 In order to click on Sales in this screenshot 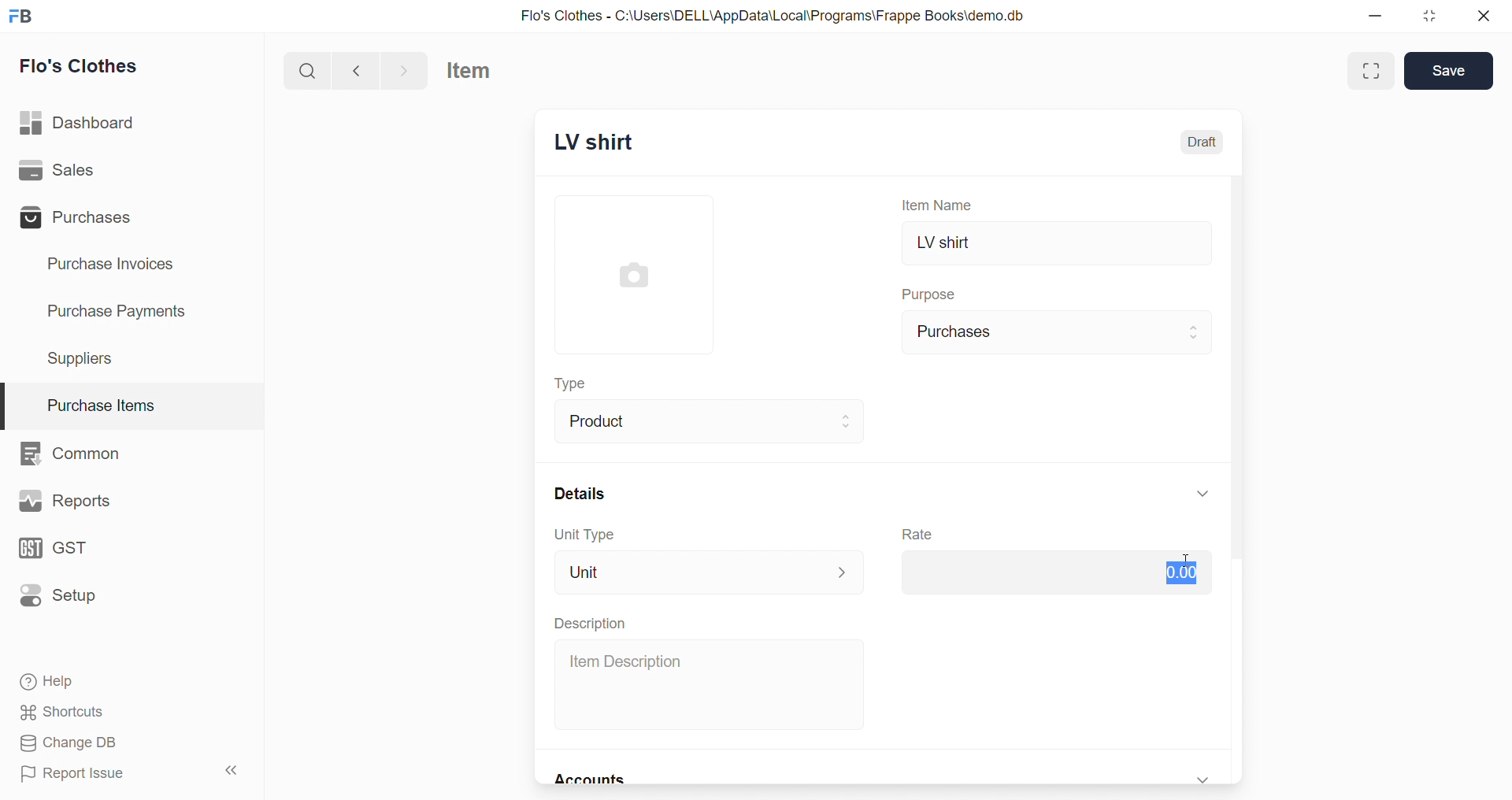, I will do `click(81, 171)`.